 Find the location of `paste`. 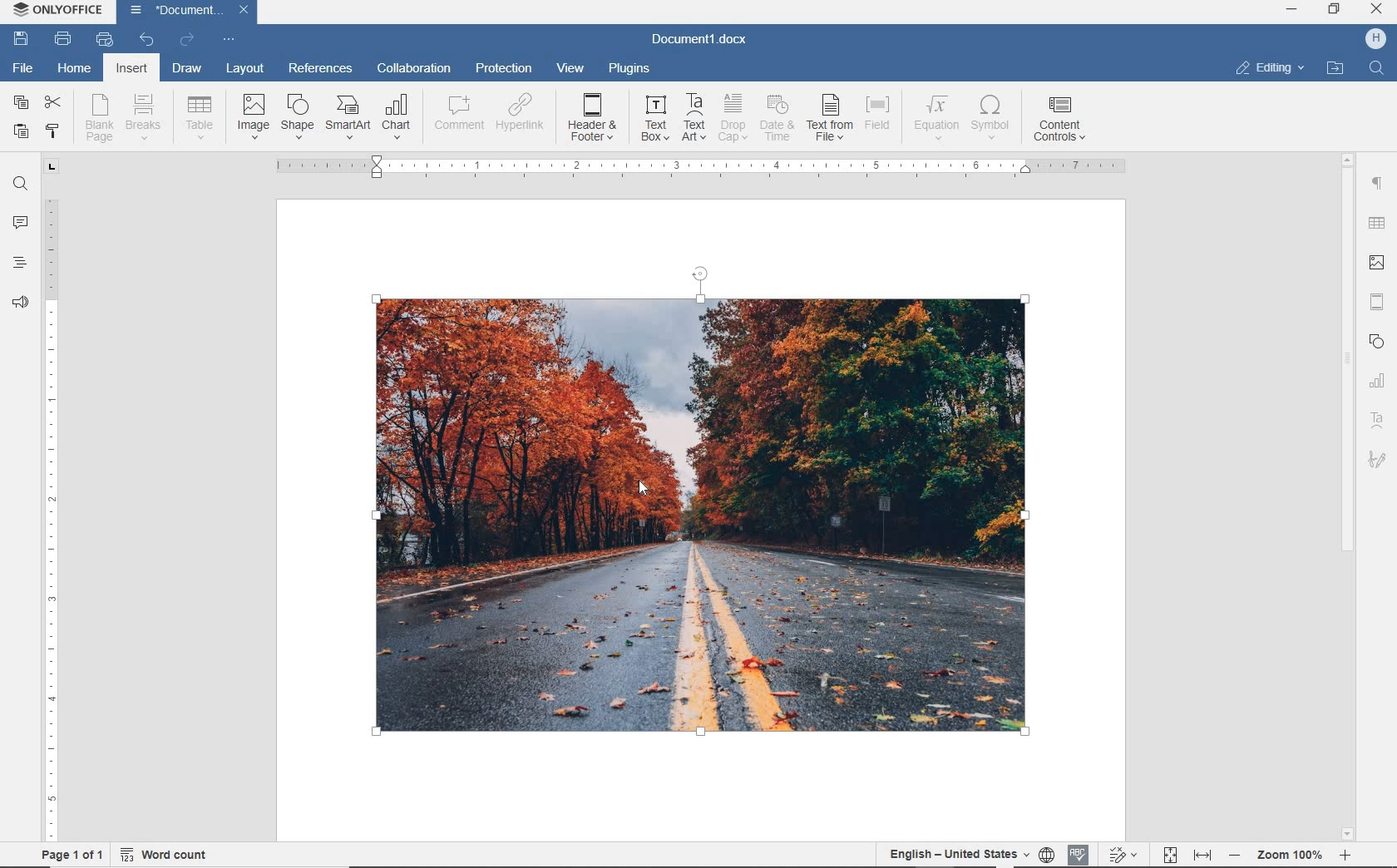

paste is located at coordinates (20, 133).